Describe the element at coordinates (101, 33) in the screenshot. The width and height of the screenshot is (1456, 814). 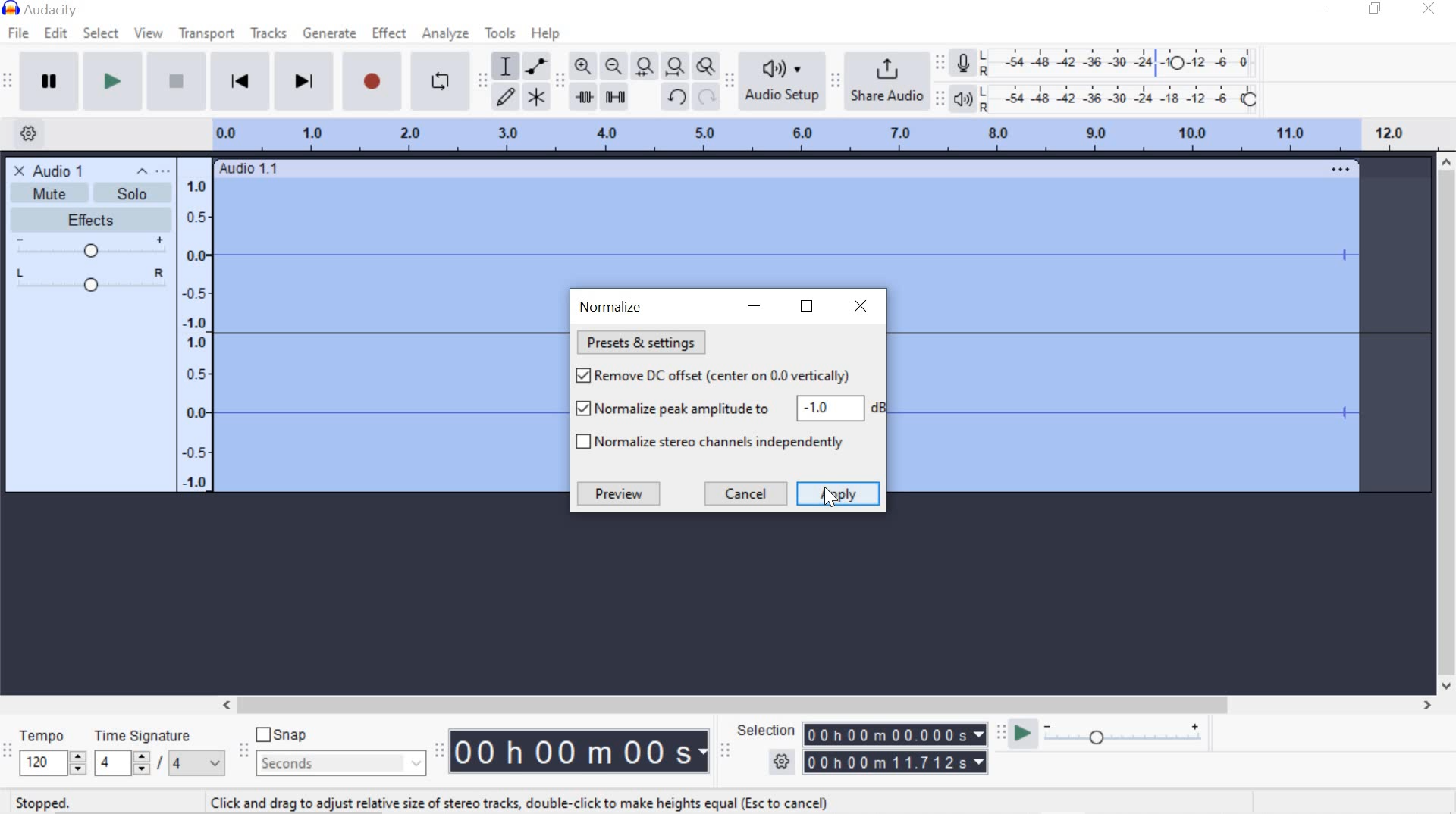
I see `select` at that location.